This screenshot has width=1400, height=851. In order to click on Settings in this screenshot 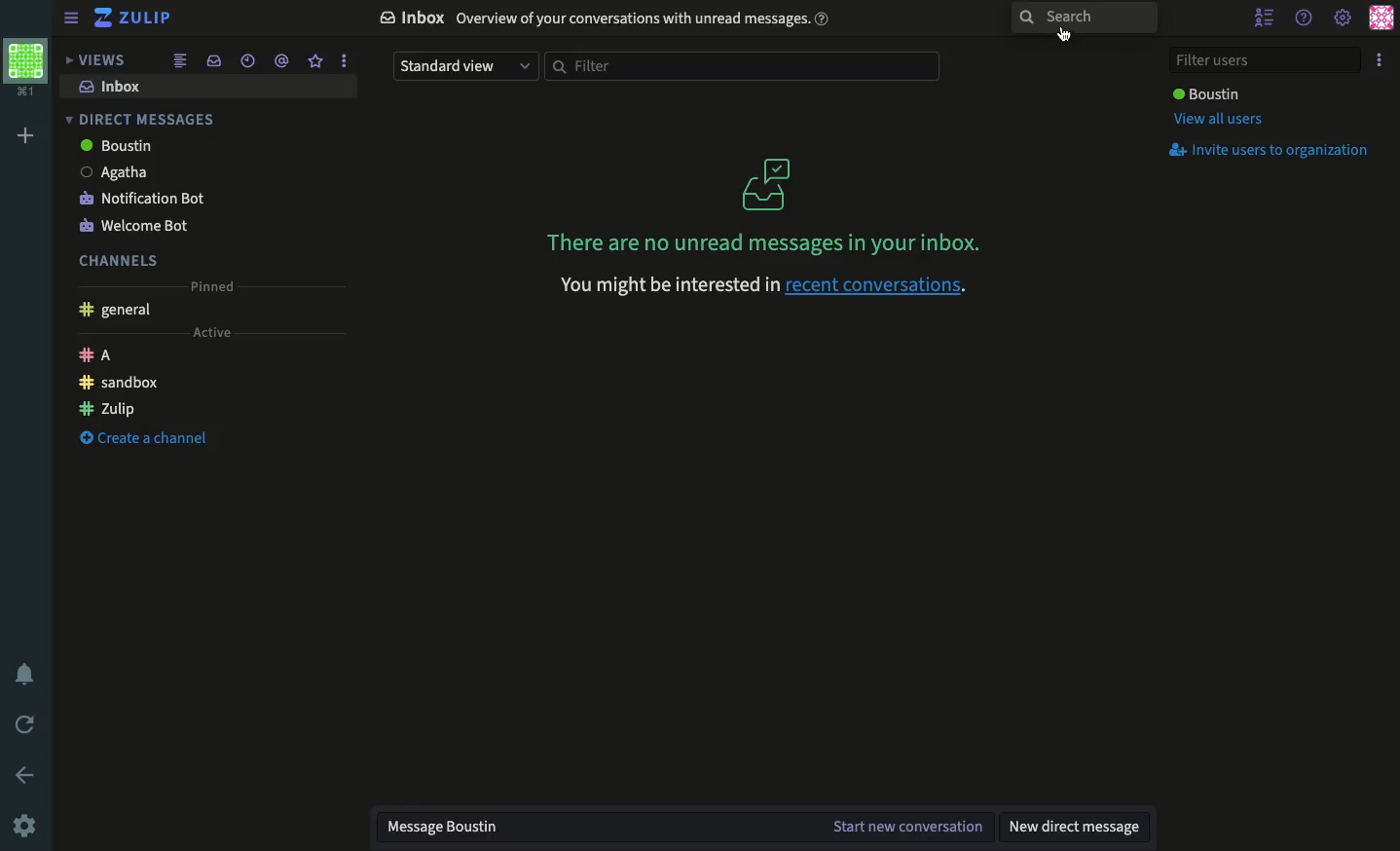, I will do `click(26, 824)`.